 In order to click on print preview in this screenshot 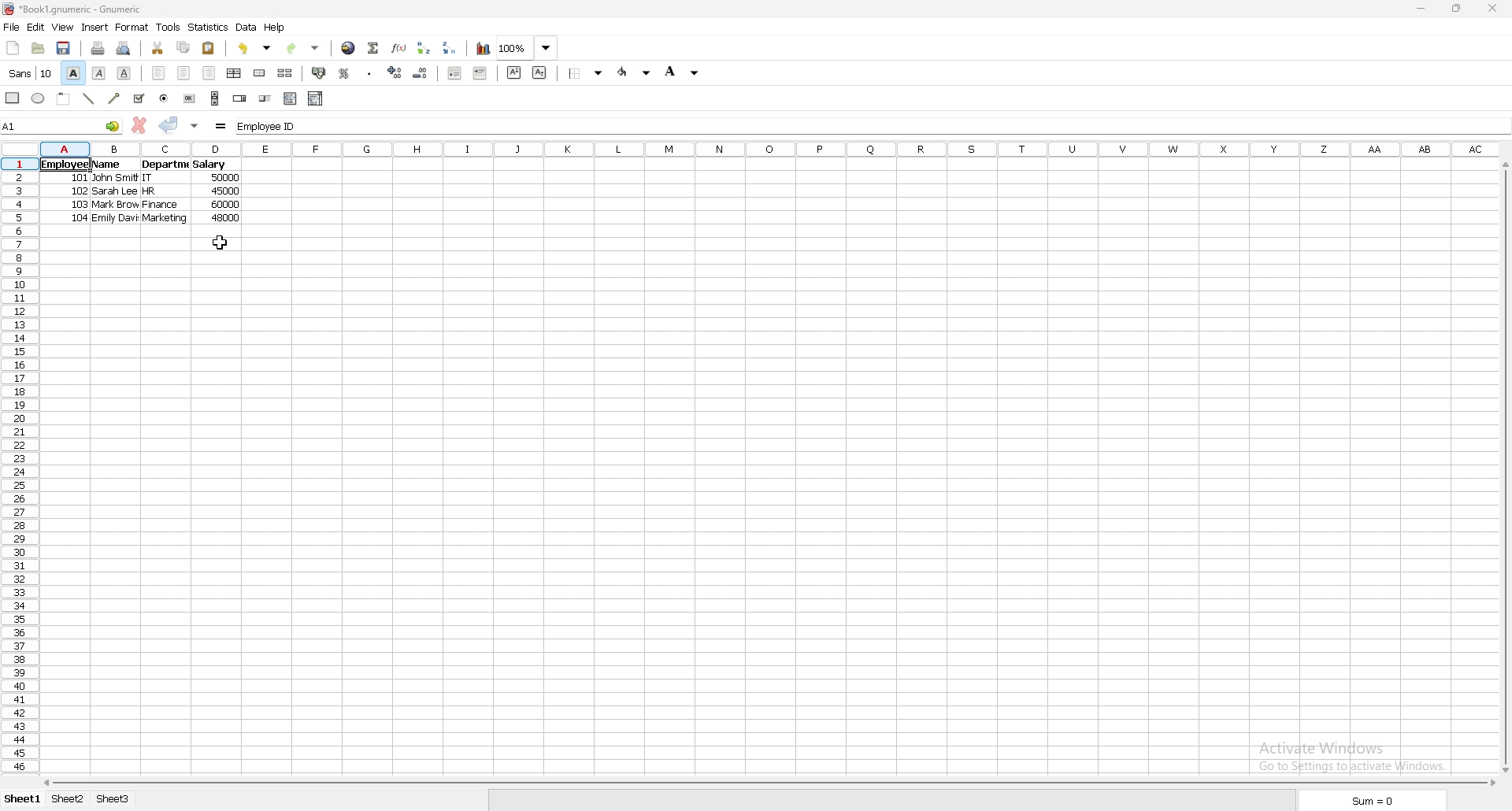, I will do `click(124, 48)`.